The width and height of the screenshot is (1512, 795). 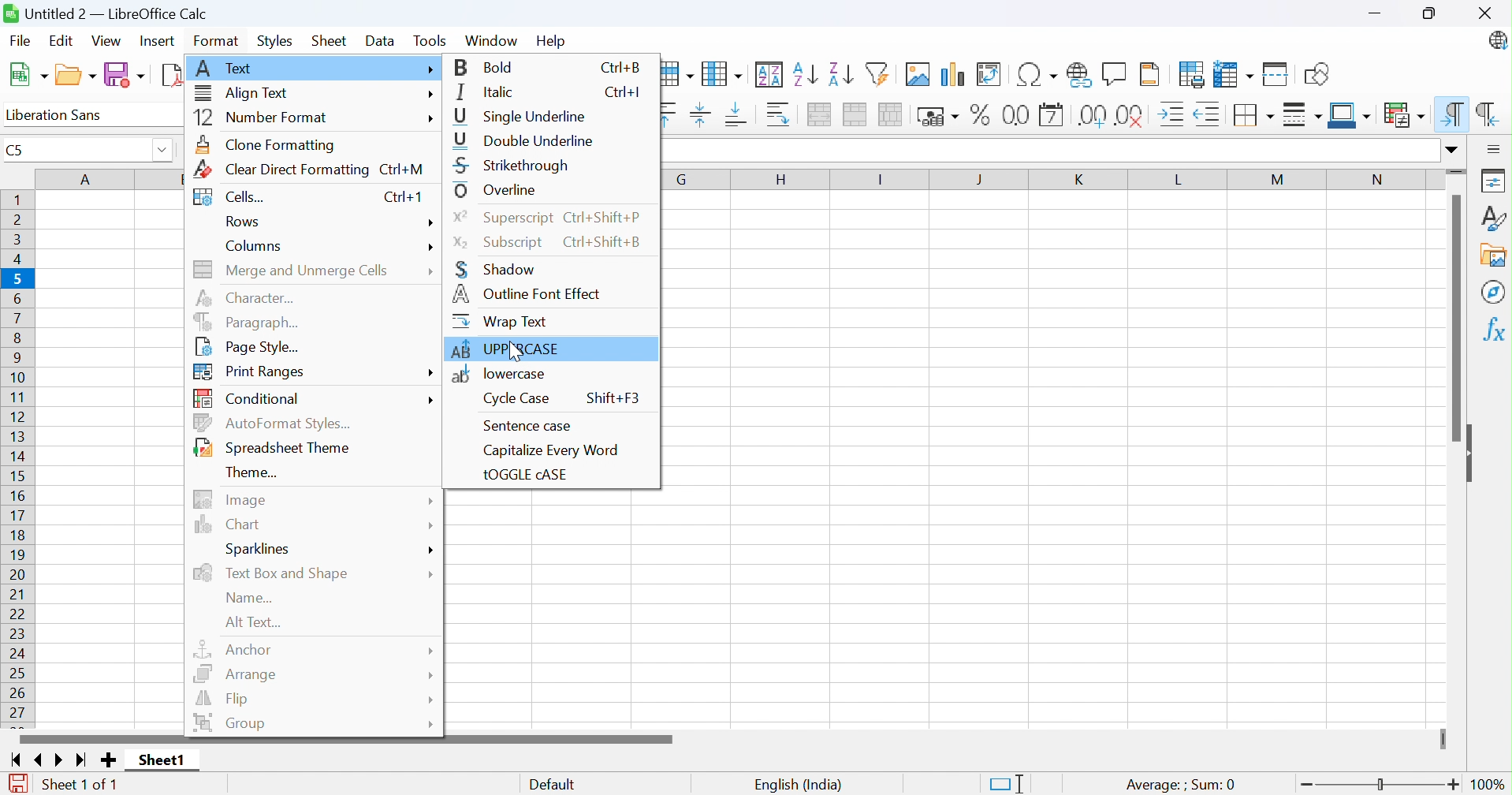 I want to click on Conditional, so click(x=251, y=397).